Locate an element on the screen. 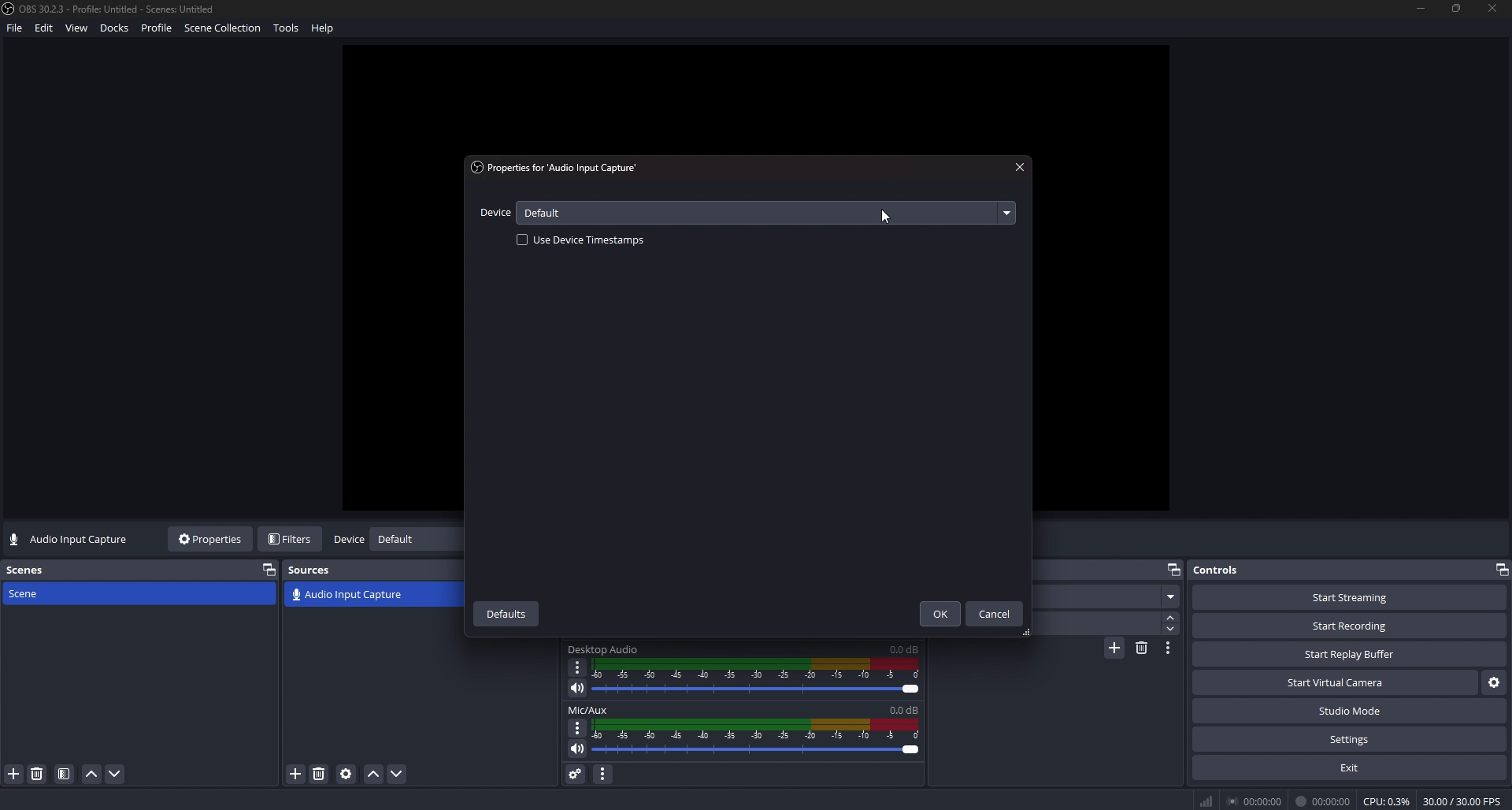 The height and width of the screenshot is (810, 1512). Docks is located at coordinates (117, 30).